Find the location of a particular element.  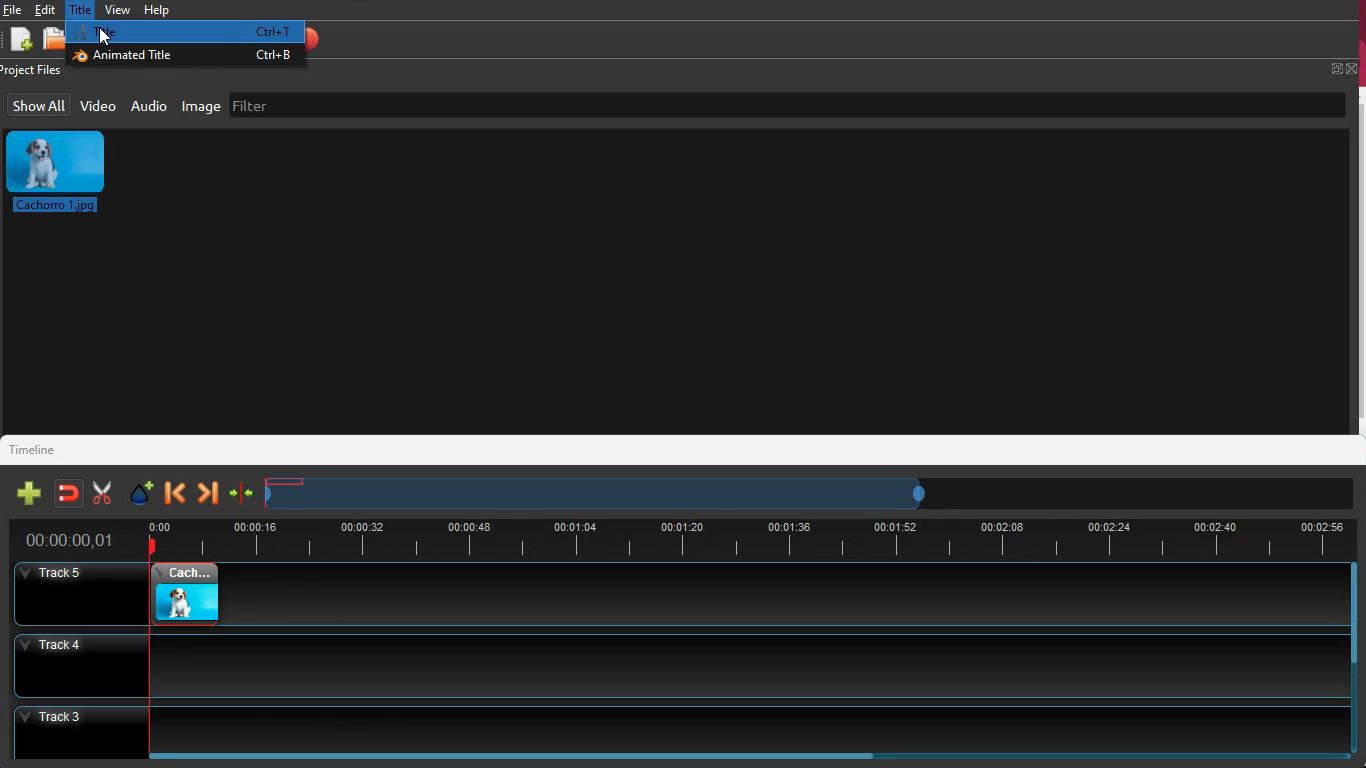

Horizontal scroll bar is located at coordinates (531, 756).